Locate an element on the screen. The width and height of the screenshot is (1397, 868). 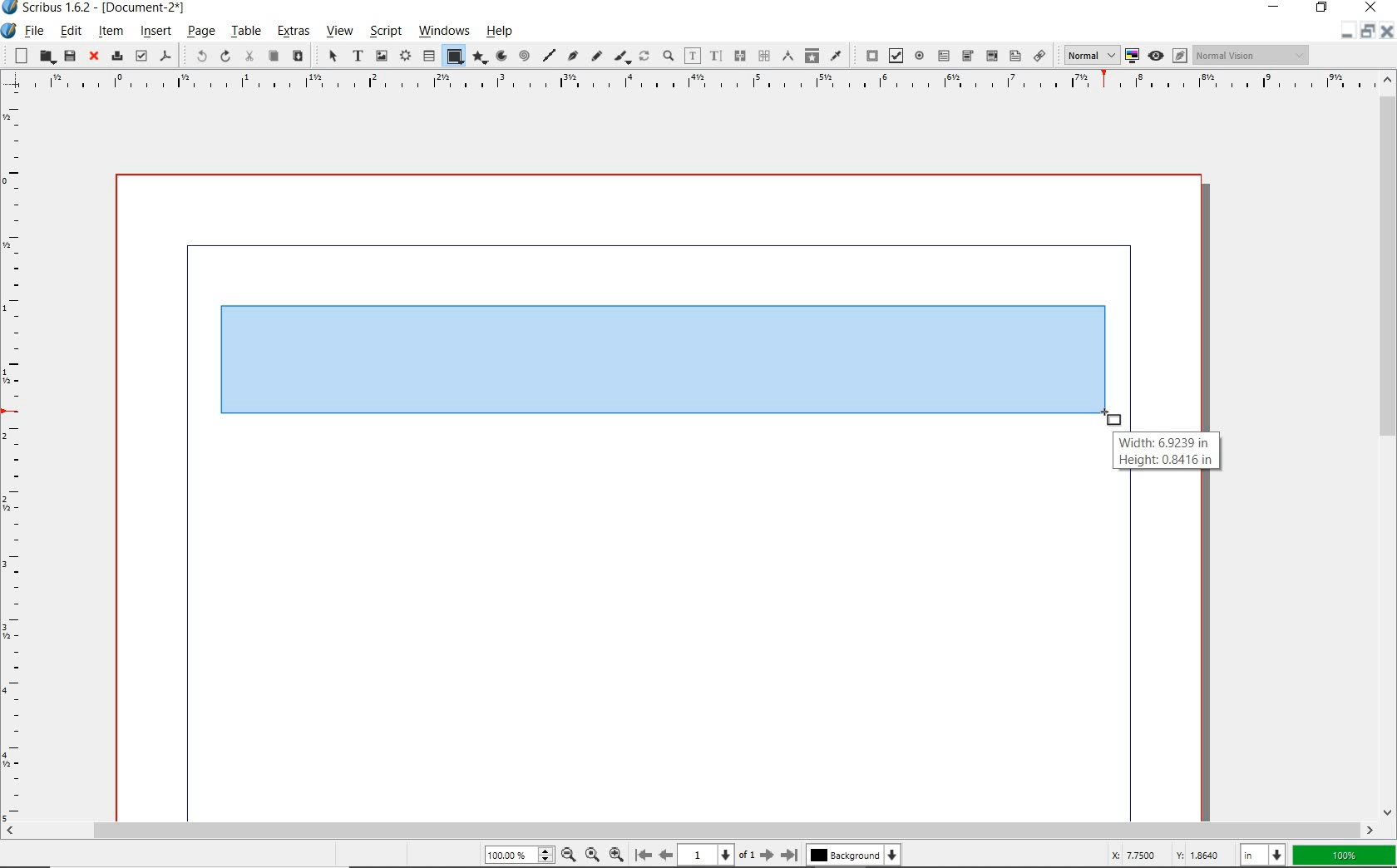
scrollbar is located at coordinates (1389, 445).